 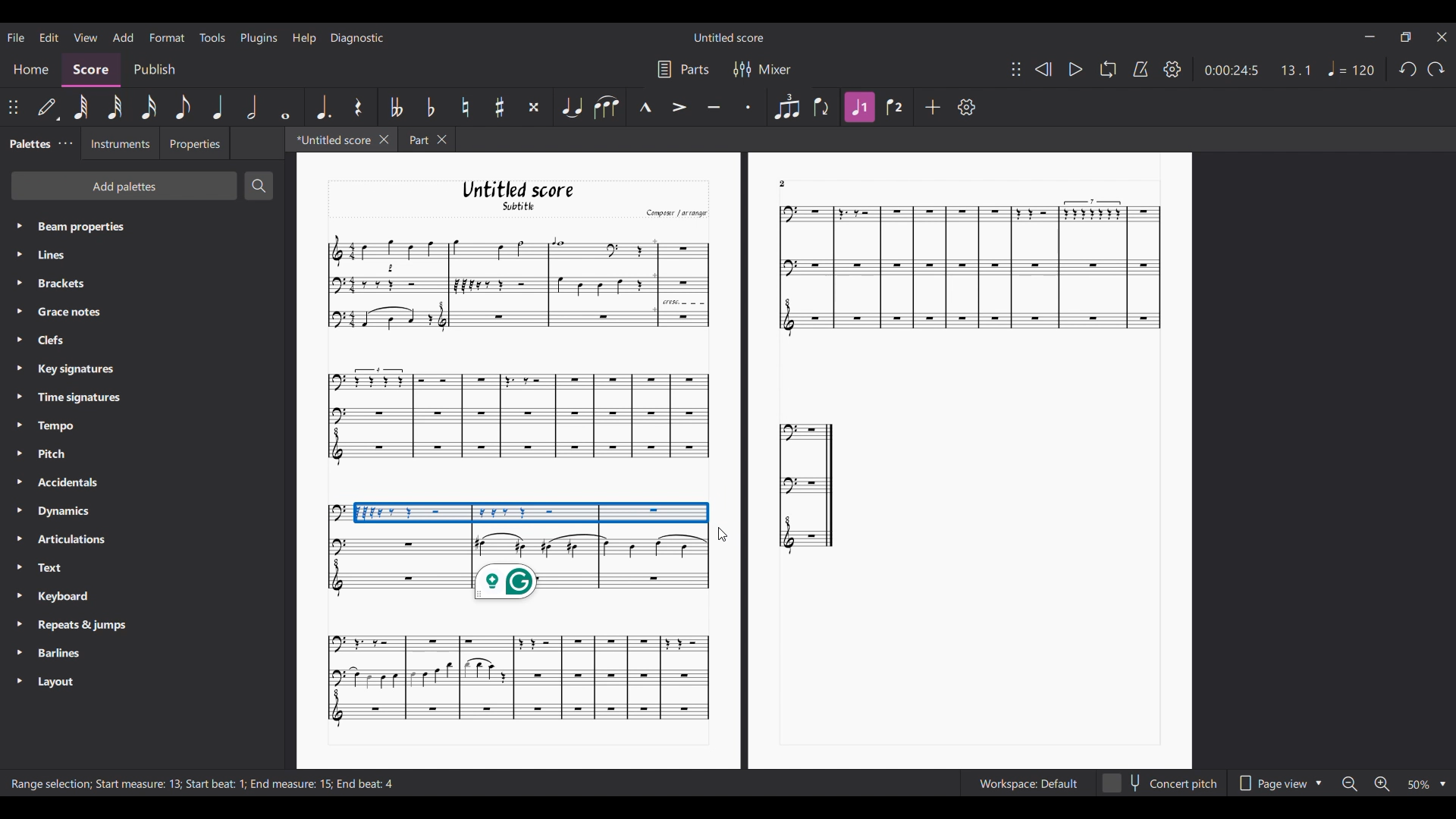 What do you see at coordinates (27, 142) in the screenshot?
I see `Palettes ` at bounding box center [27, 142].